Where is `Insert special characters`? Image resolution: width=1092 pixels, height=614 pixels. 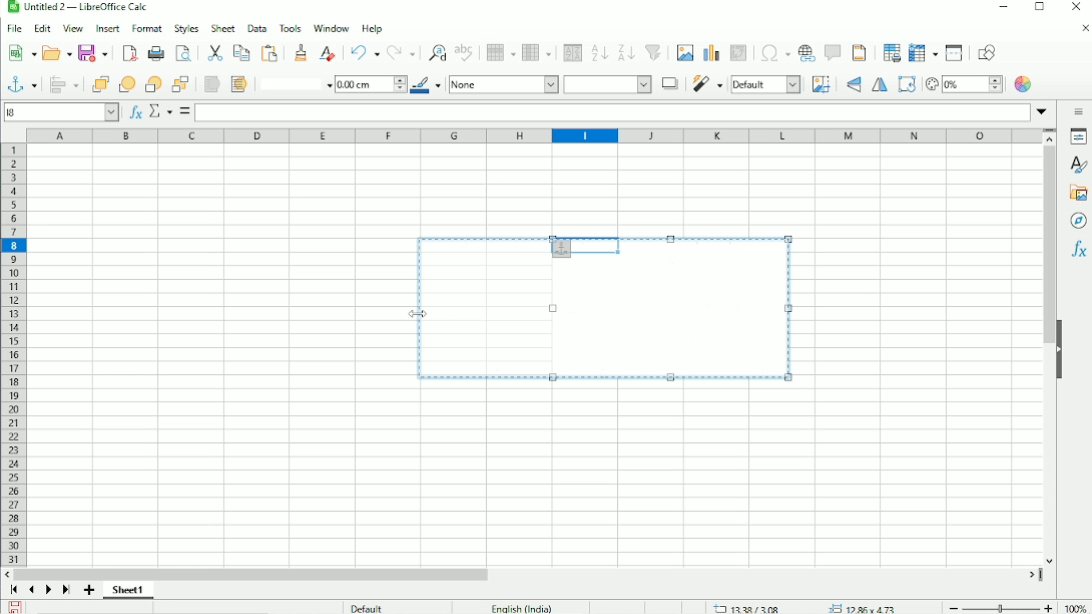
Insert special characters is located at coordinates (772, 53).